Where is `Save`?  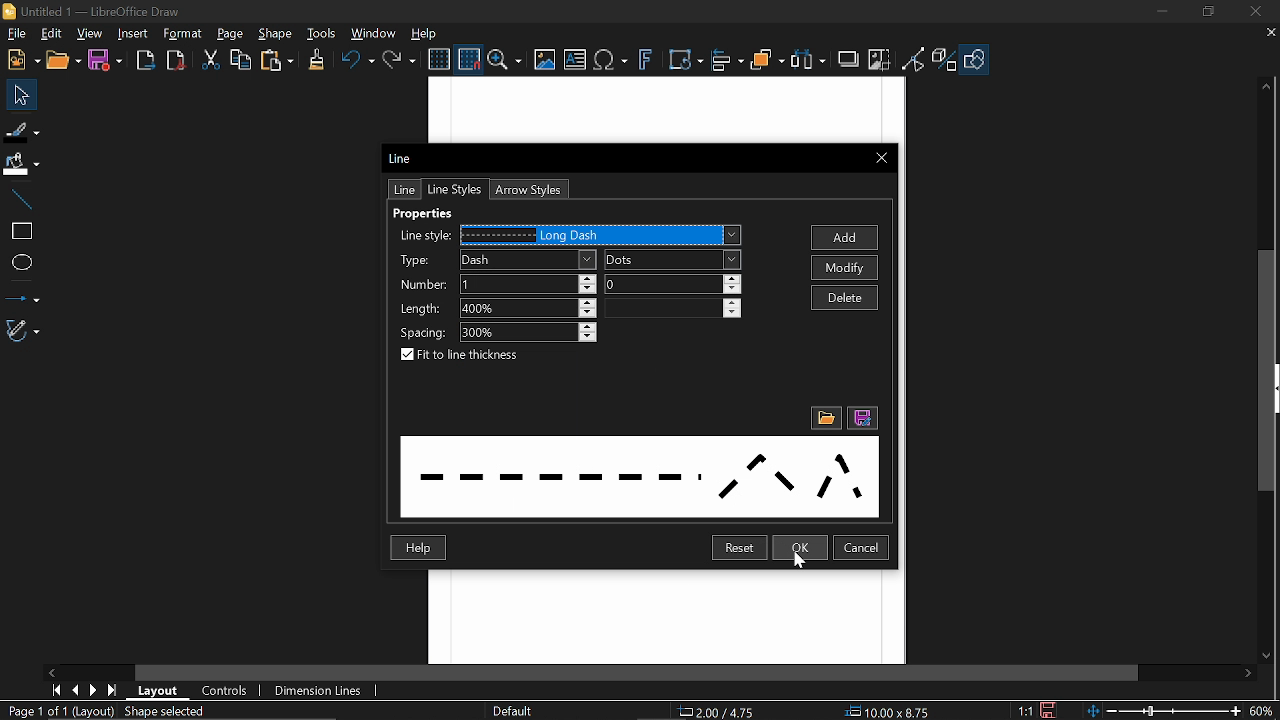 Save is located at coordinates (103, 61).